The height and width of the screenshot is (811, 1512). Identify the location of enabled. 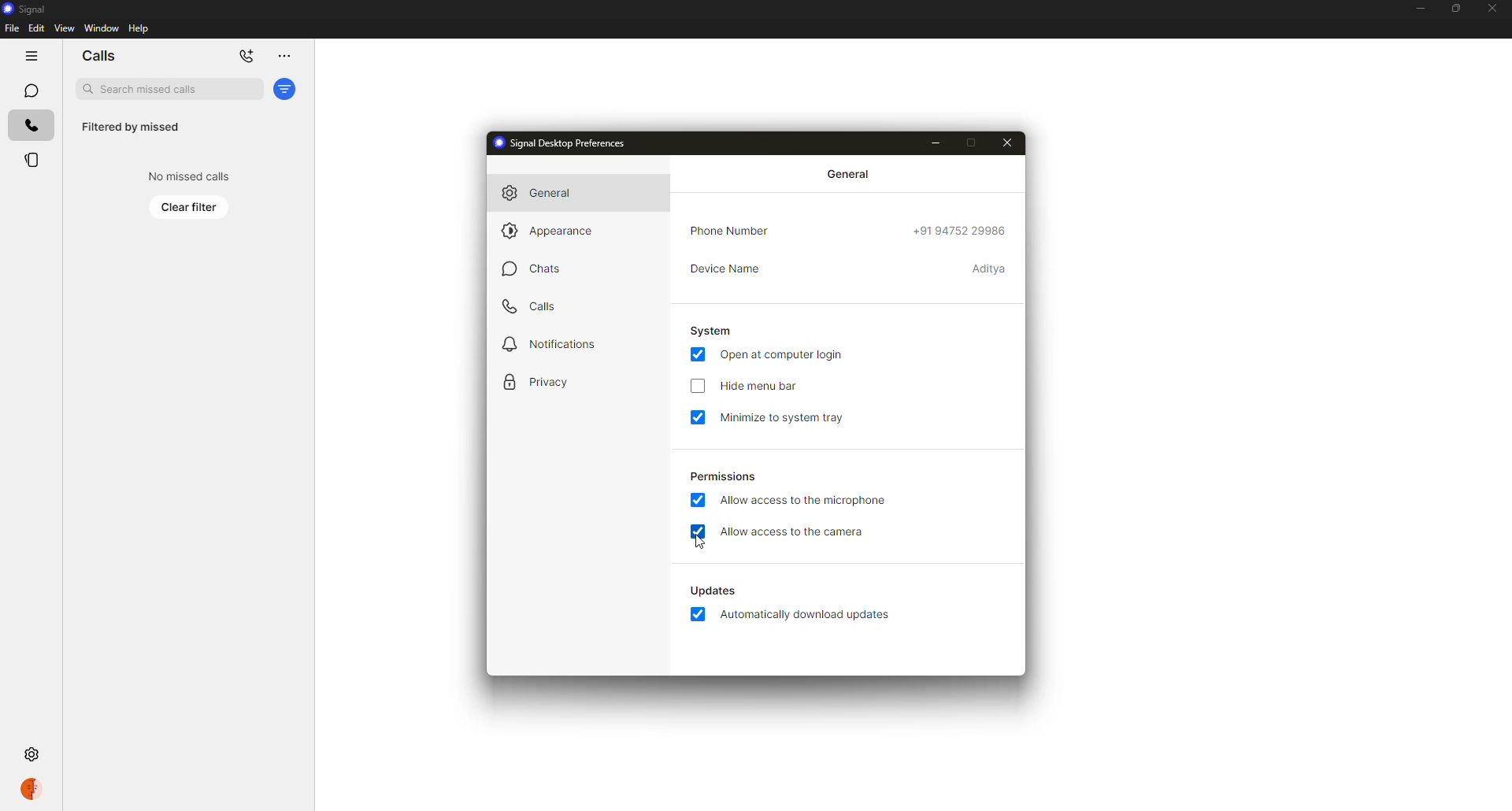
(699, 499).